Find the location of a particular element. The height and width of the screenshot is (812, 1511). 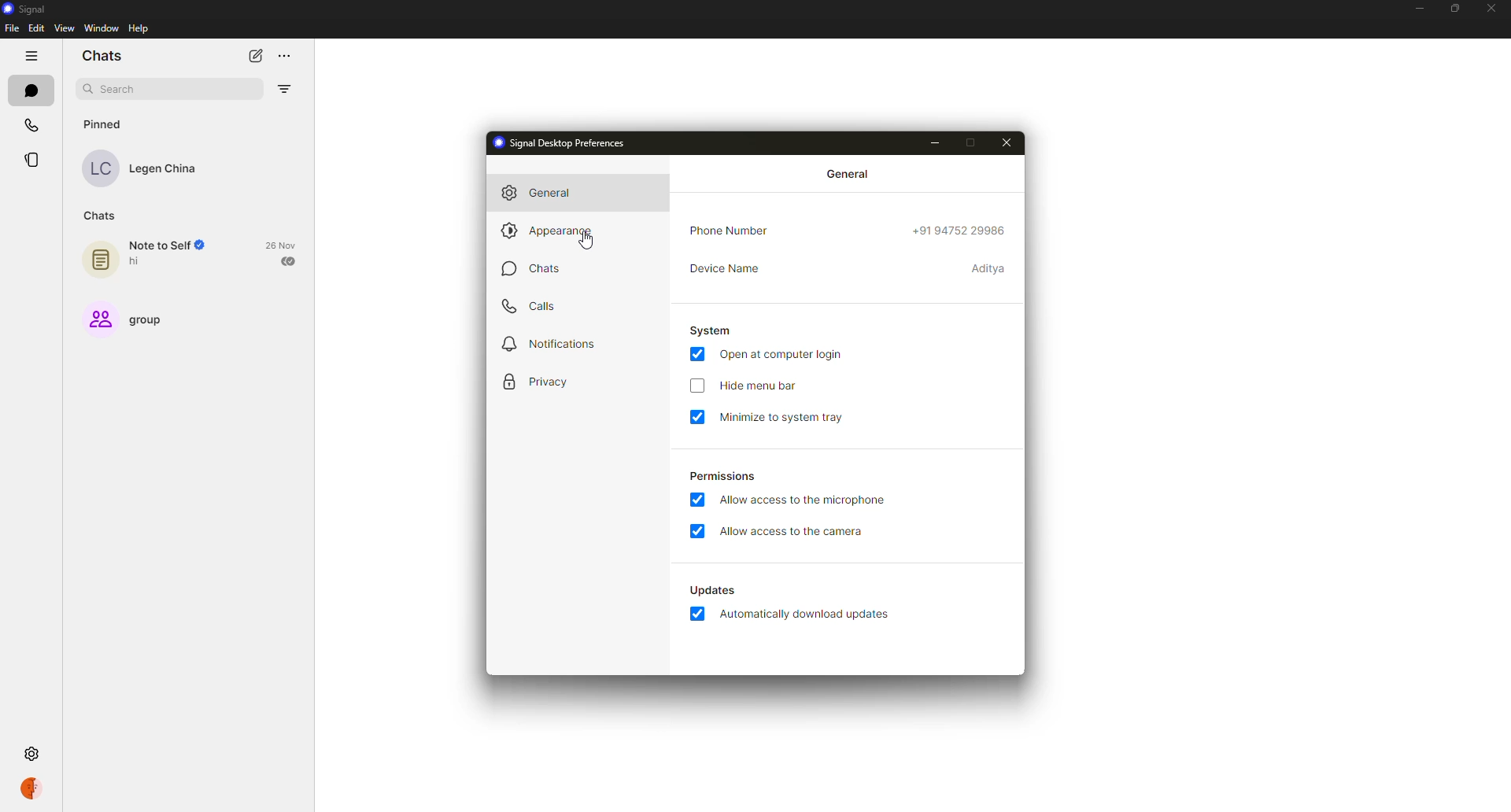

signal desktop preferences is located at coordinates (560, 143).